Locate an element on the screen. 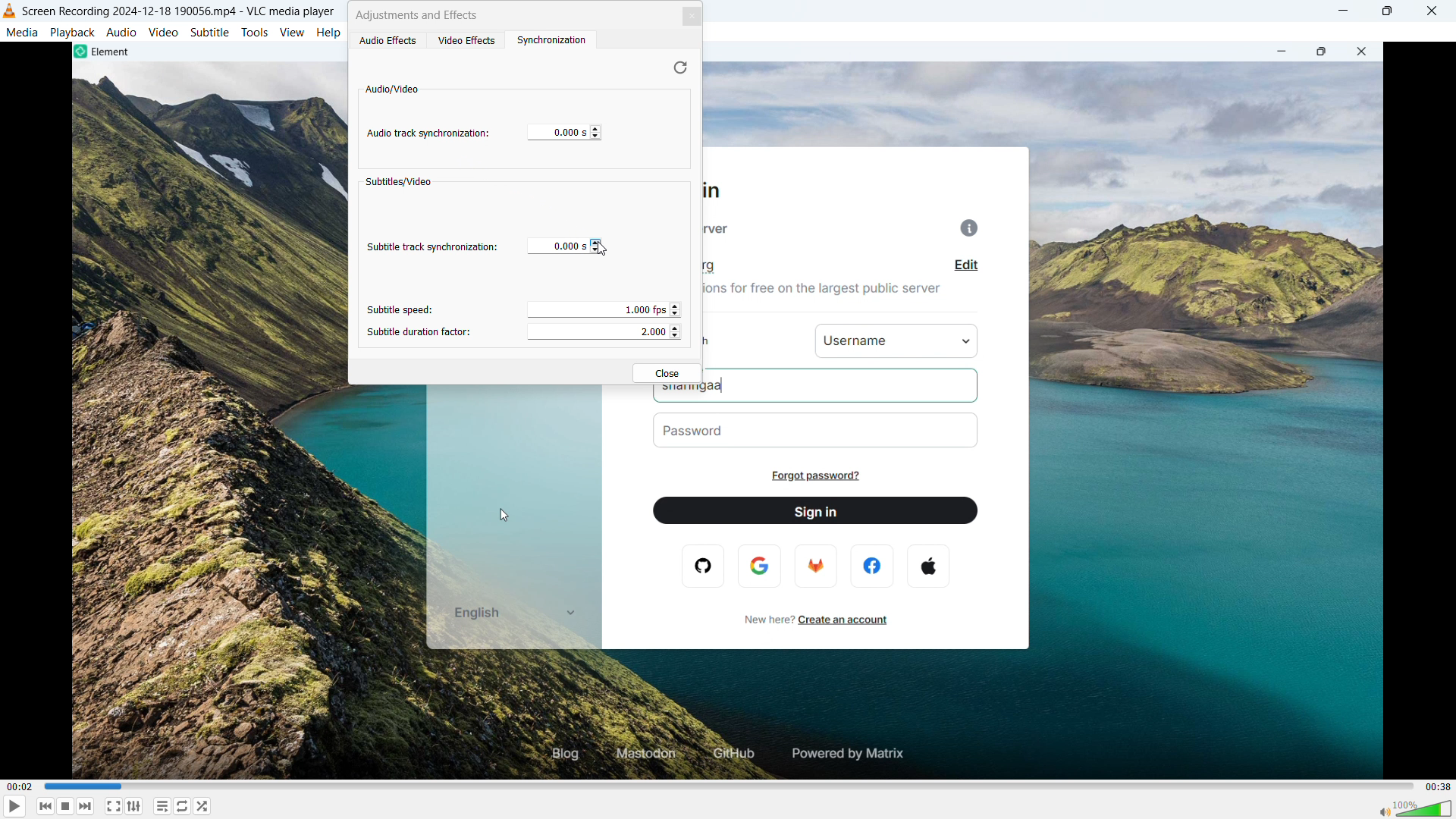  password is located at coordinates (820, 430).